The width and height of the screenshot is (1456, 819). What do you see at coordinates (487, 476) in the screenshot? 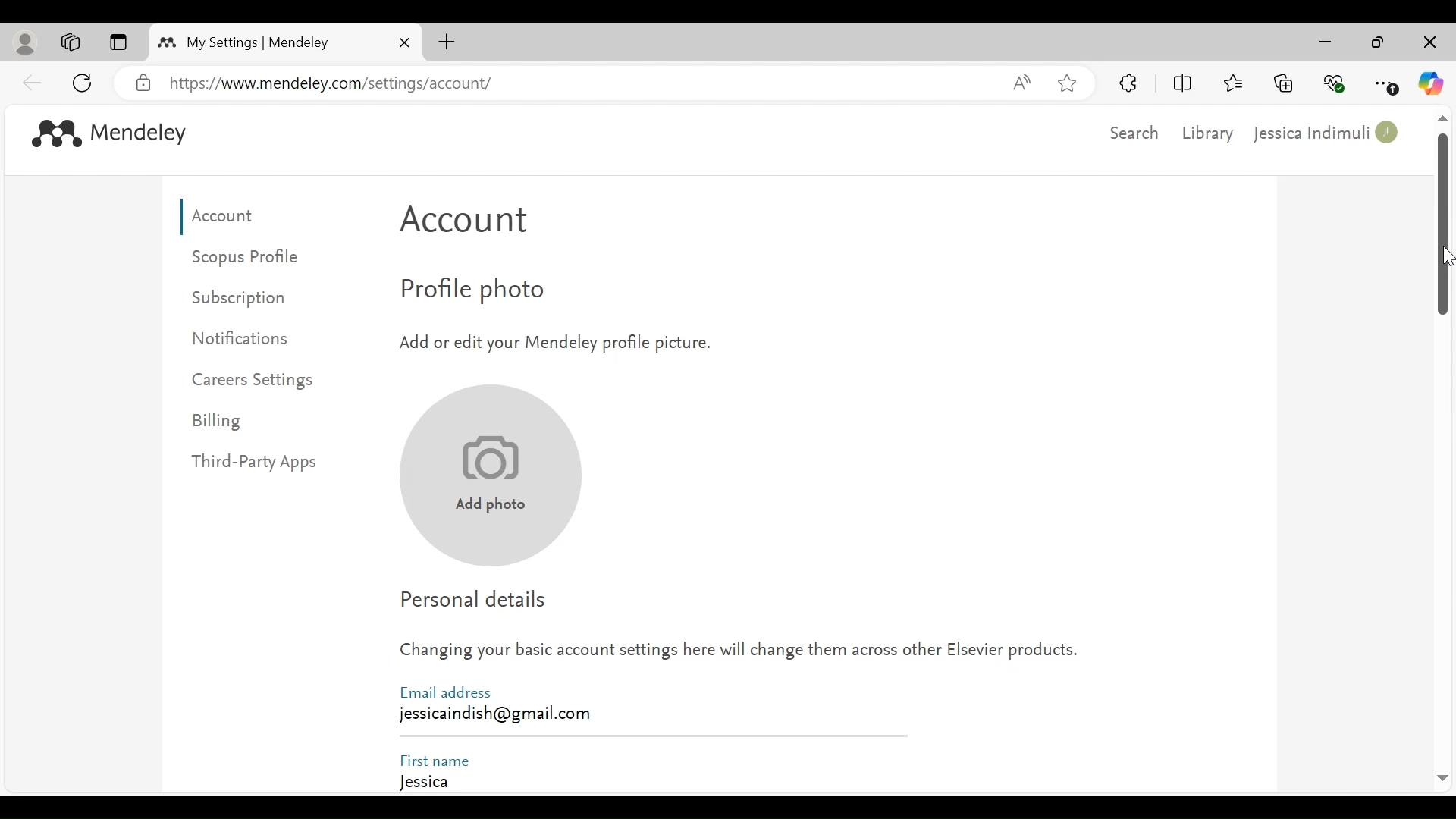
I see `Add photo` at bounding box center [487, 476].